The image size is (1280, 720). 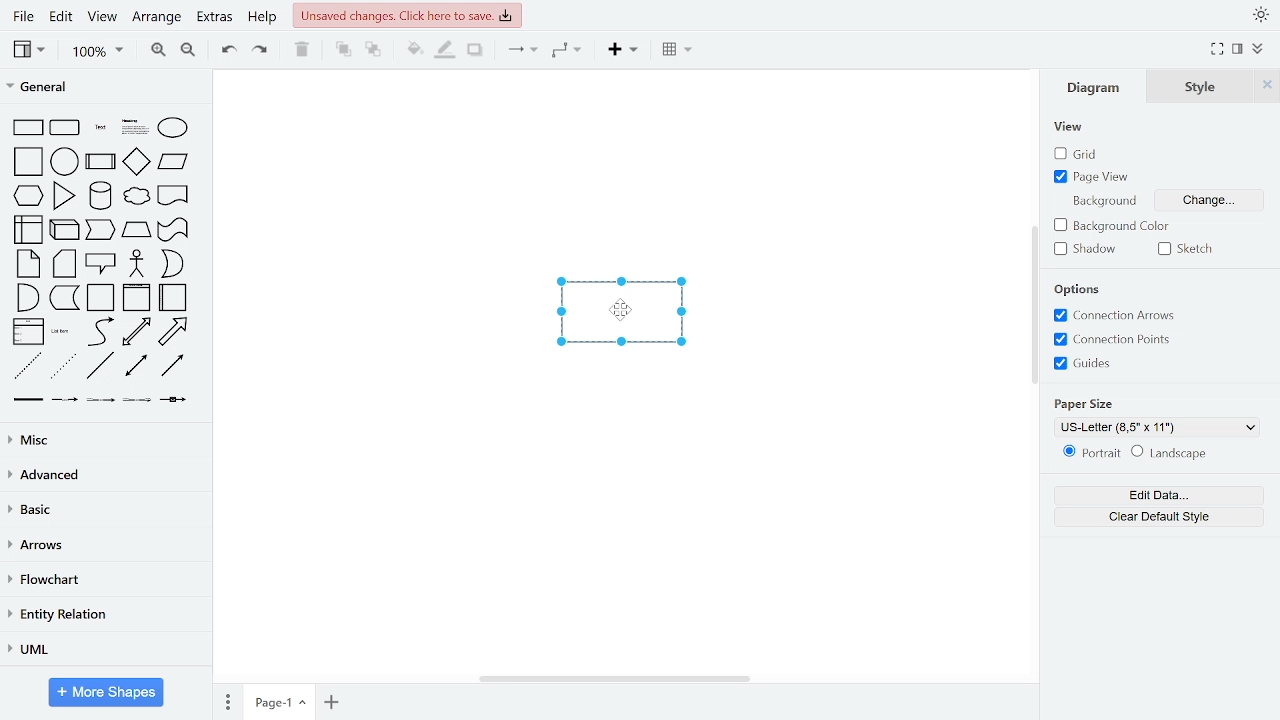 What do you see at coordinates (172, 298) in the screenshot?
I see `general shapes` at bounding box center [172, 298].